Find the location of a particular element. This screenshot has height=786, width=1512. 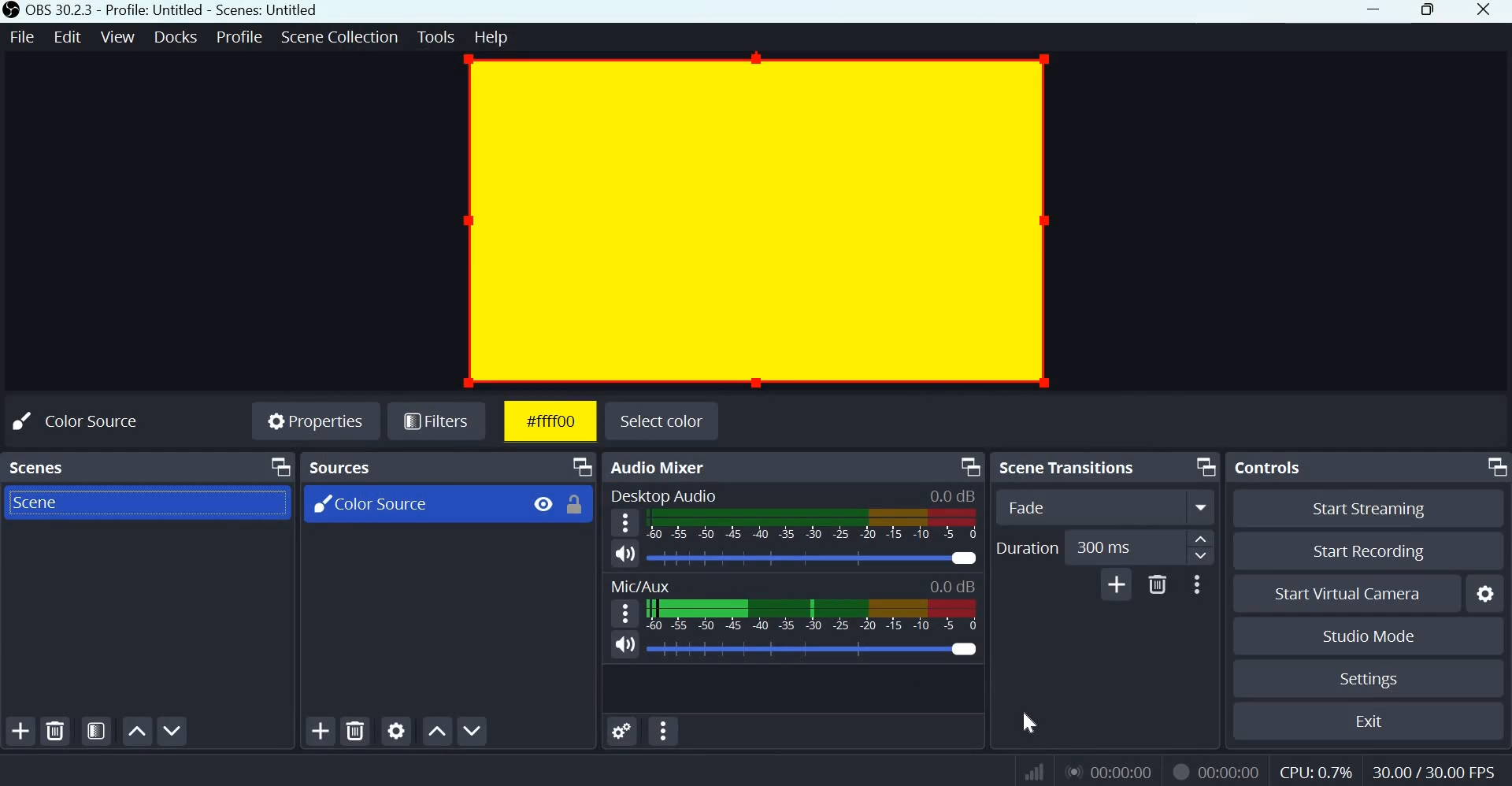

Docks is located at coordinates (176, 36).